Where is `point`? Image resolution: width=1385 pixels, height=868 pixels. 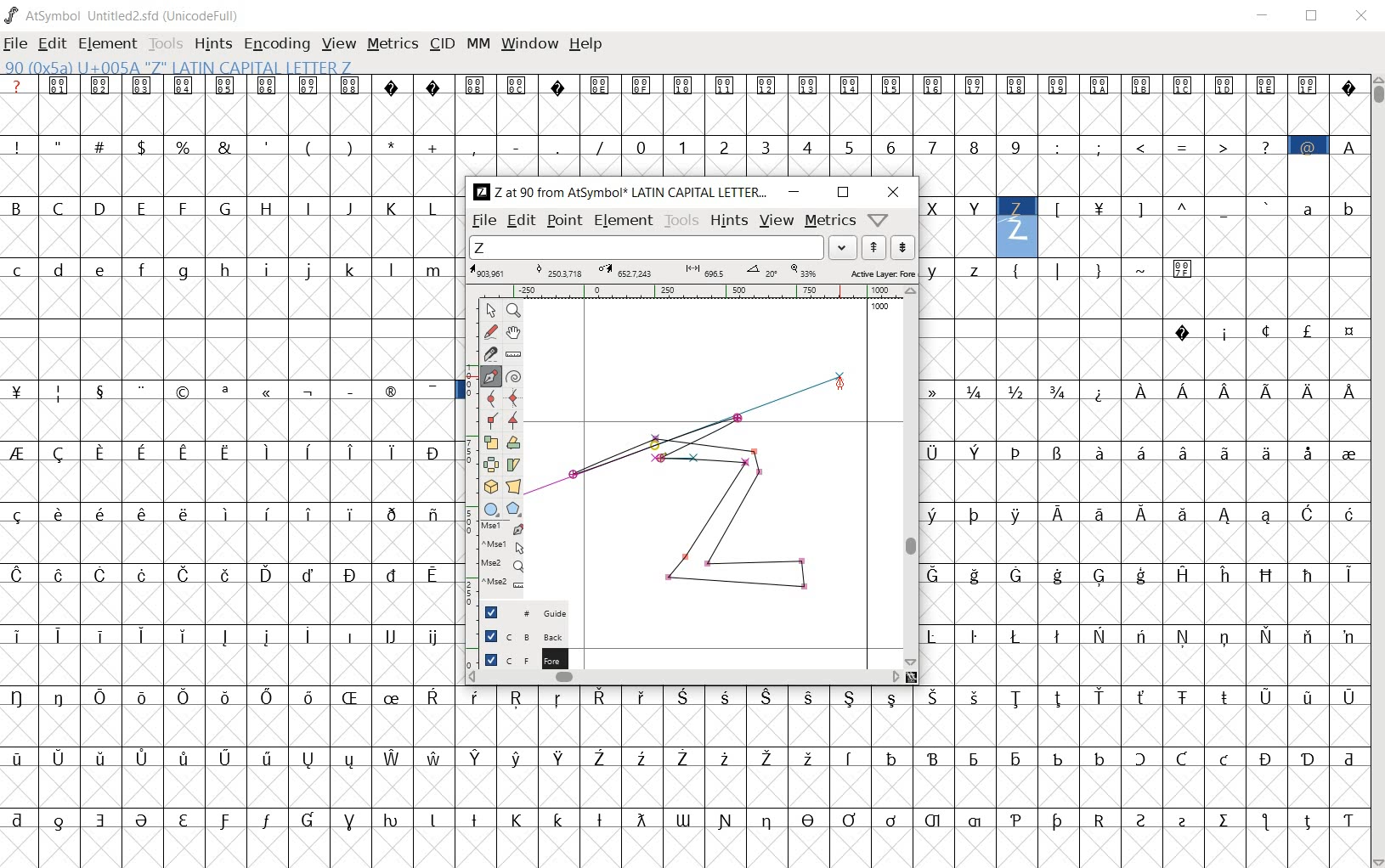
point is located at coordinates (564, 222).